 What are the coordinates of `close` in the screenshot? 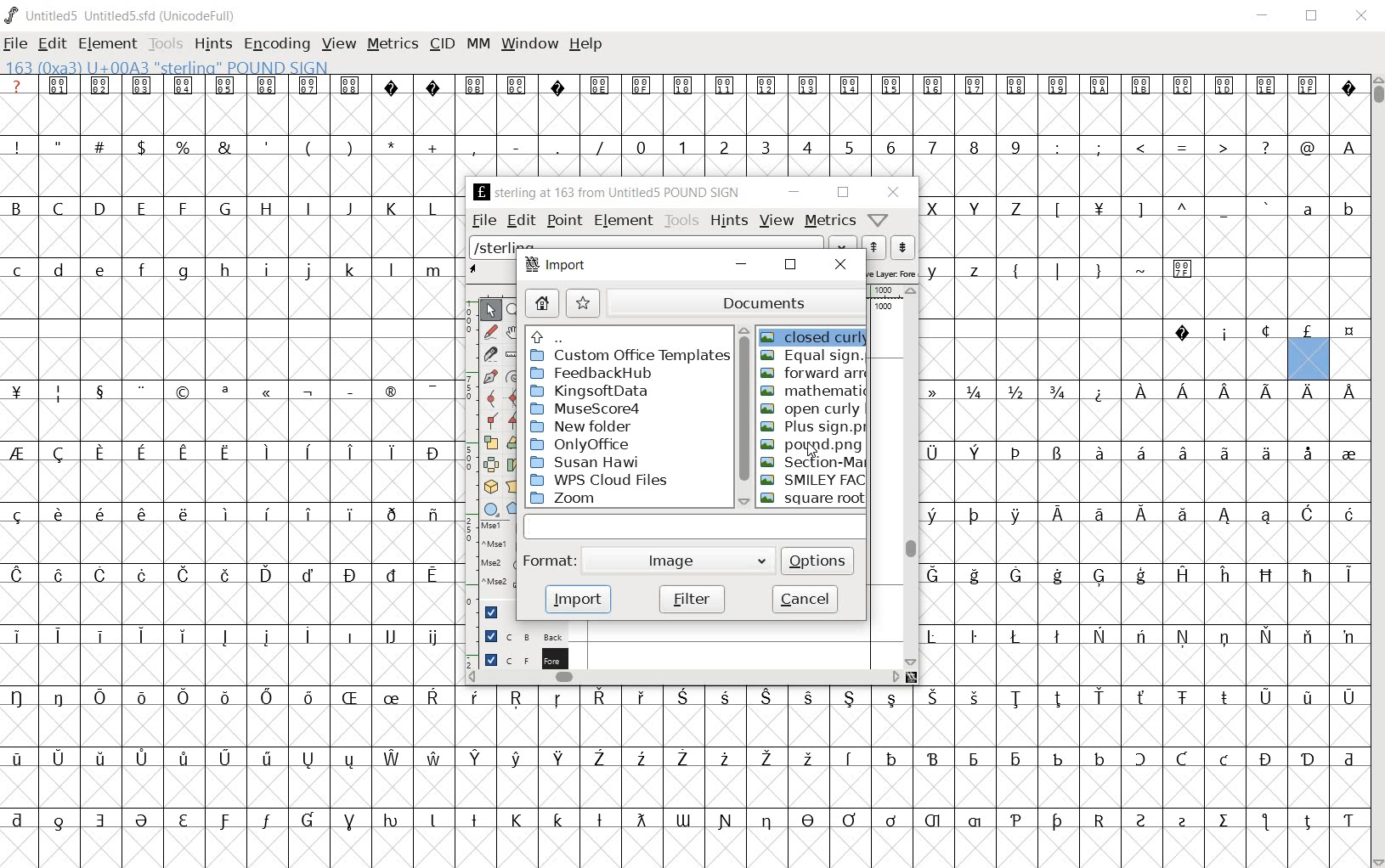 It's located at (842, 266).